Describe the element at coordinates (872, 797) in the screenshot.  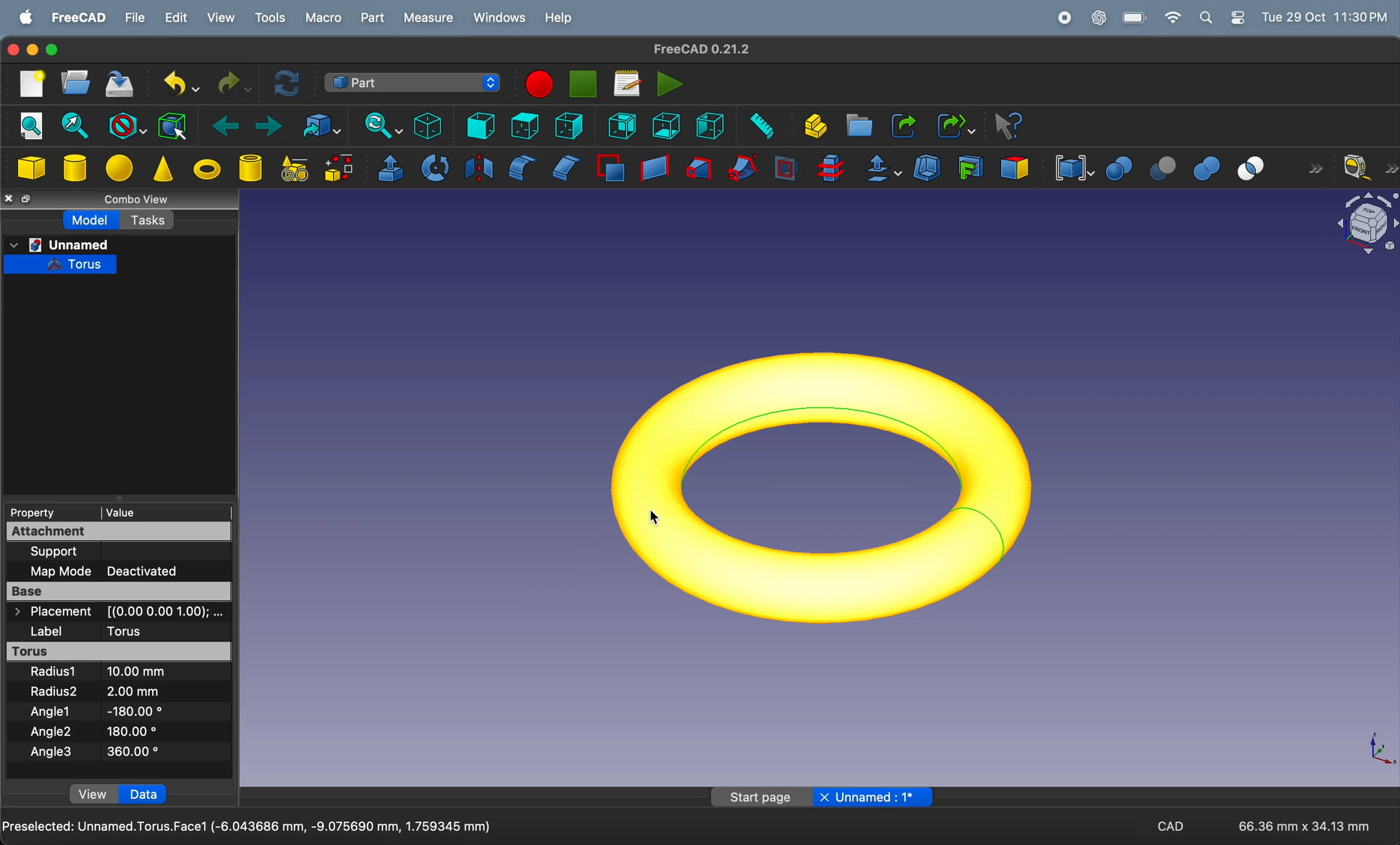
I see `Unnamed: 1` at that location.